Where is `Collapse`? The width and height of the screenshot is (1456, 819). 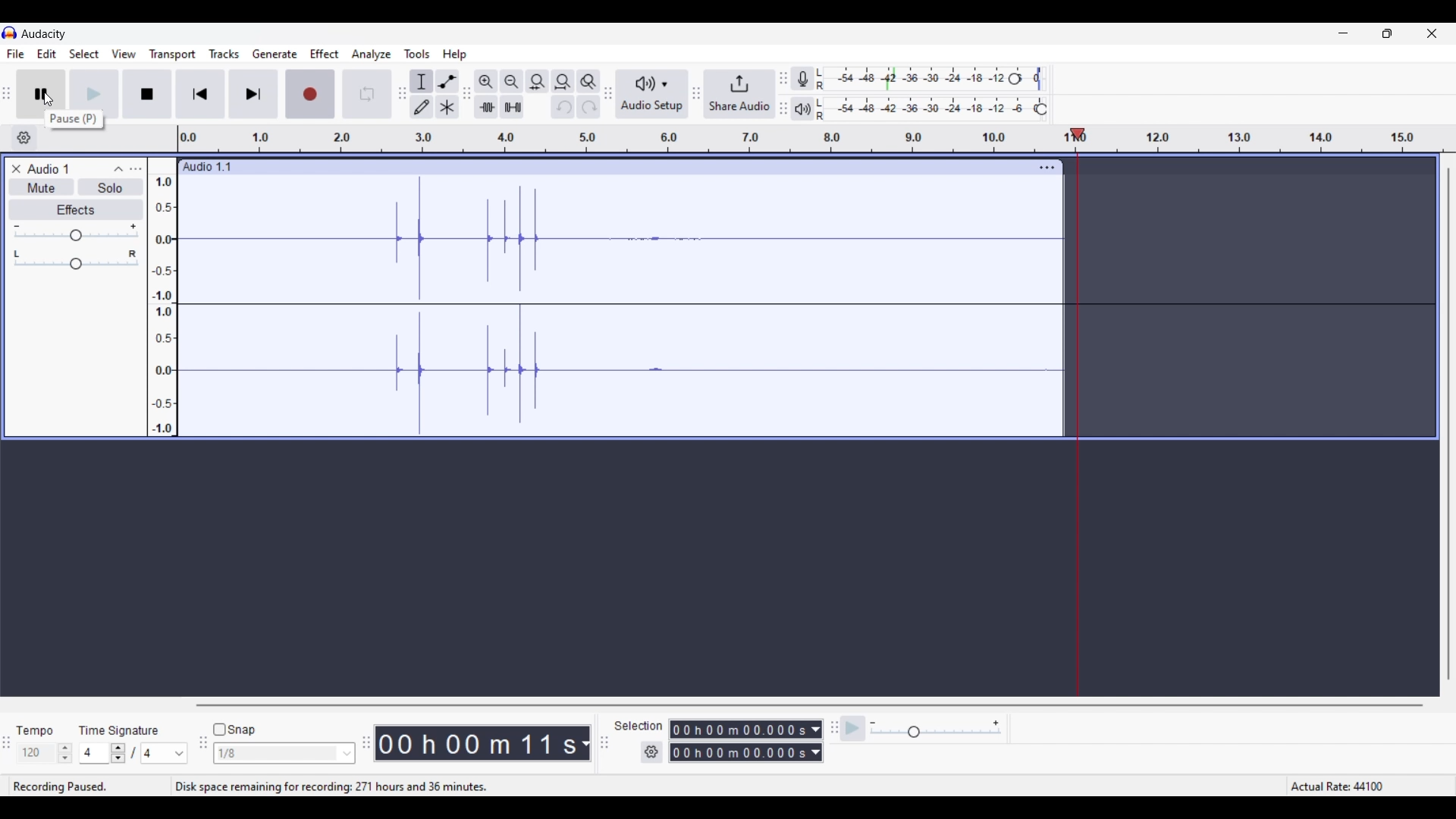 Collapse is located at coordinates (118, 169).